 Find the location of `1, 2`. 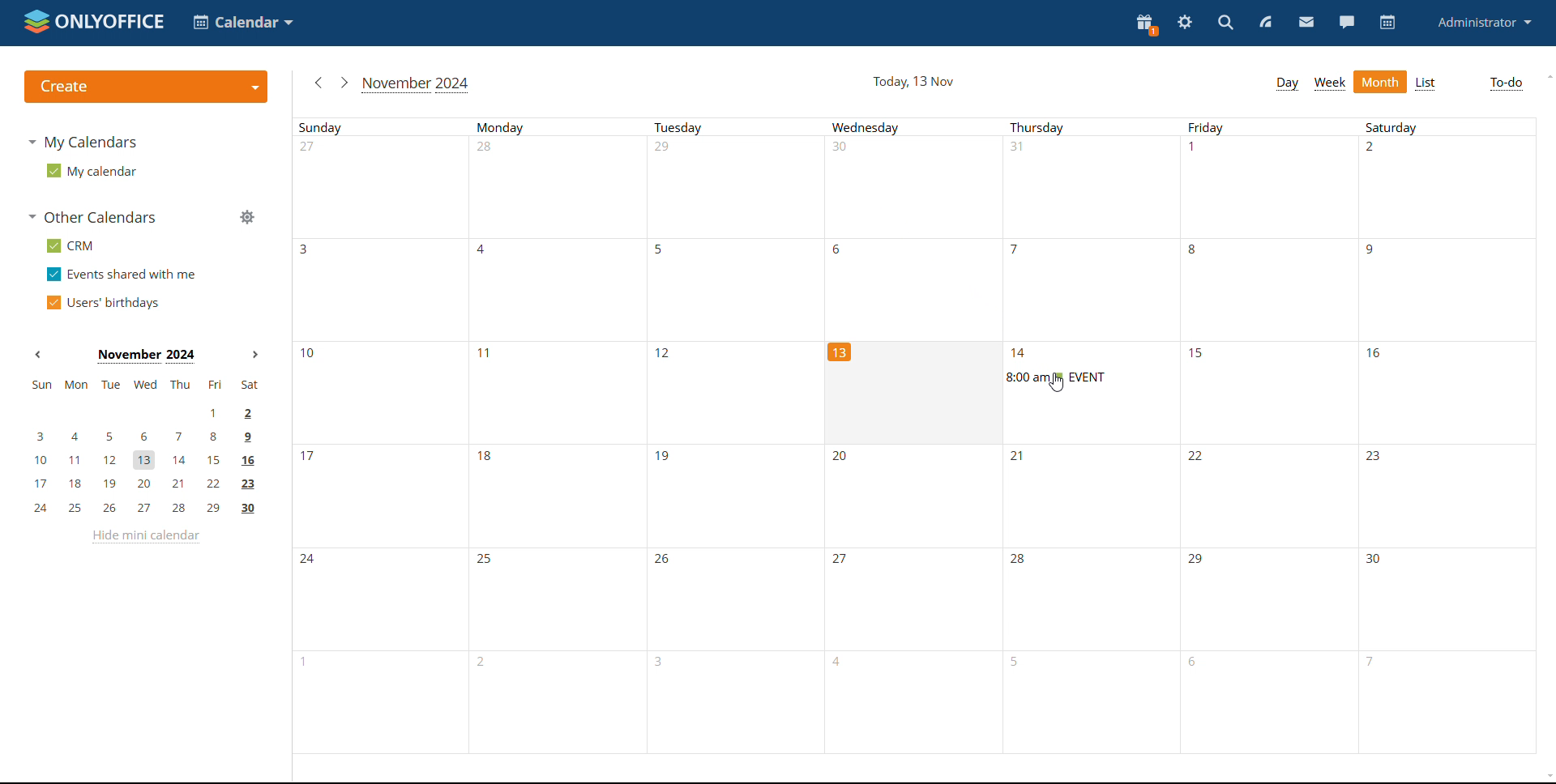

1, 2 is located at coordinates (144, 411).